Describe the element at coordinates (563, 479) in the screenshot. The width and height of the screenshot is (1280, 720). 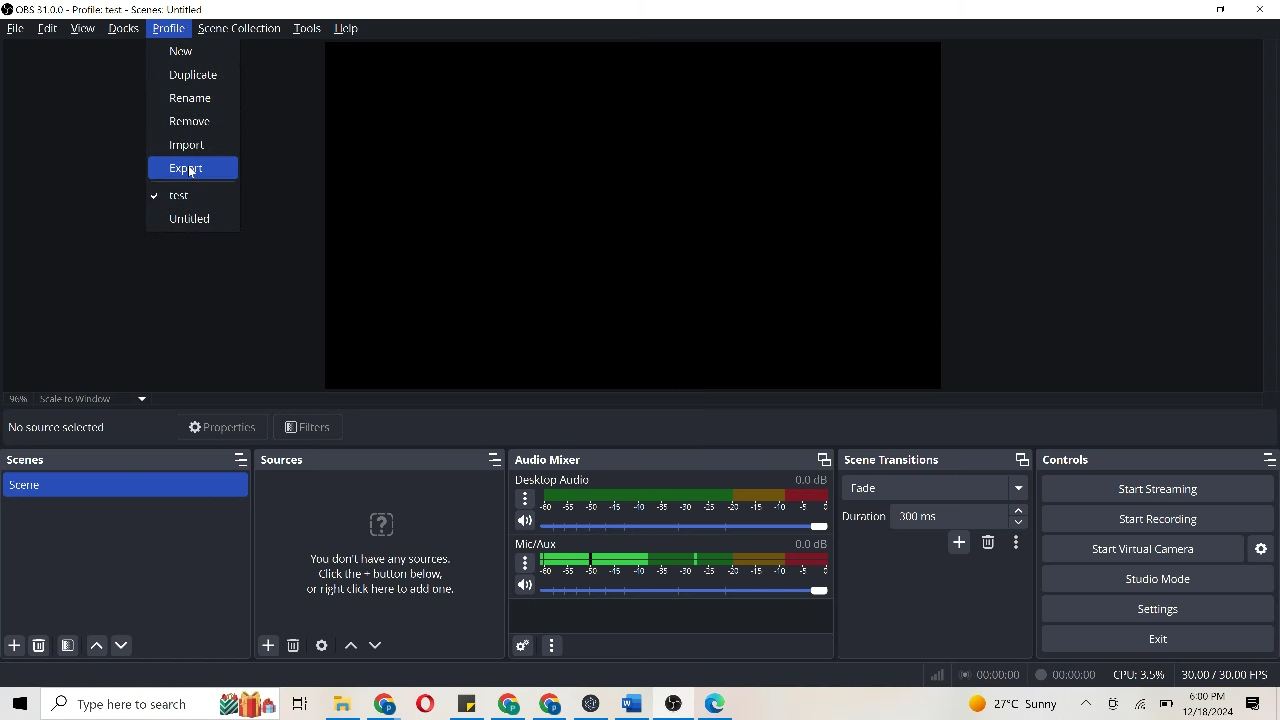
I see `Desktop Audio` at that location.